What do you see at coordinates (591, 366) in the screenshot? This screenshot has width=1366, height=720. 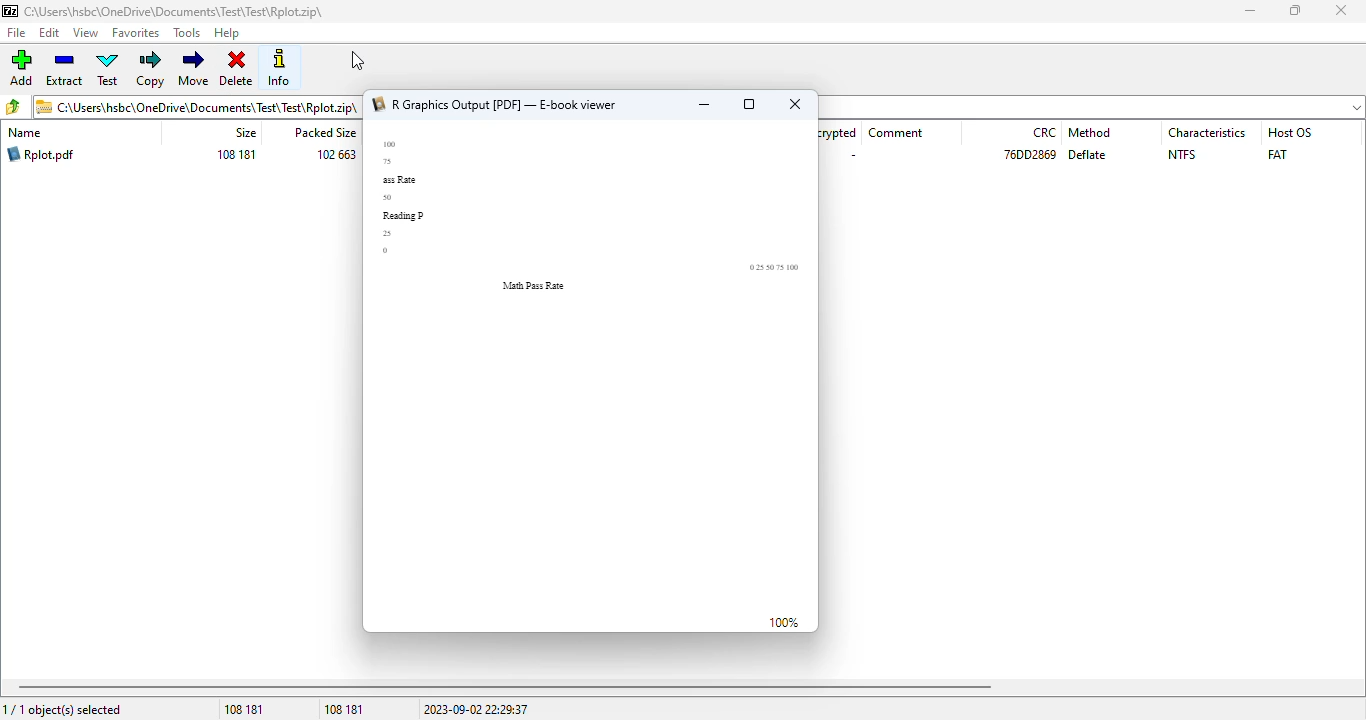 I see `file view without extracting it` at bounding box center [591, 366].